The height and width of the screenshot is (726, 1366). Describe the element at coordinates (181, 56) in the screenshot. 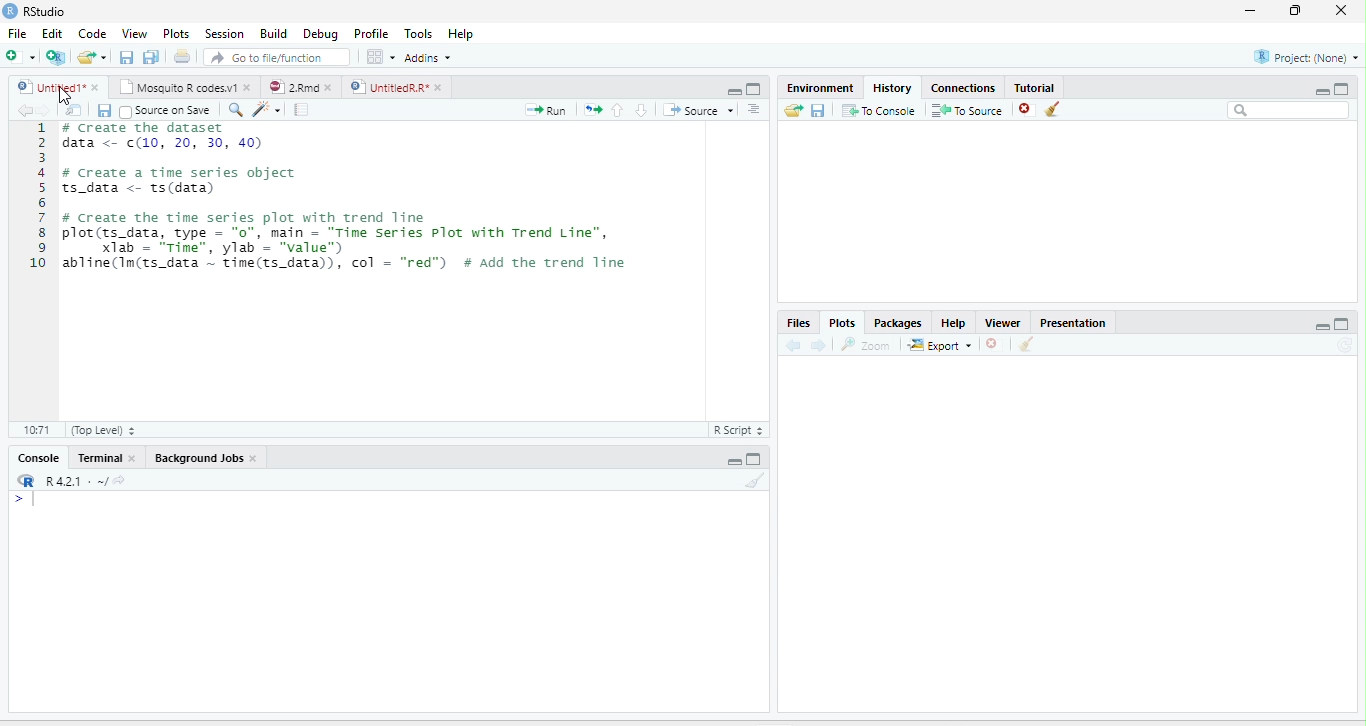

I see `Print the current file` at that location.